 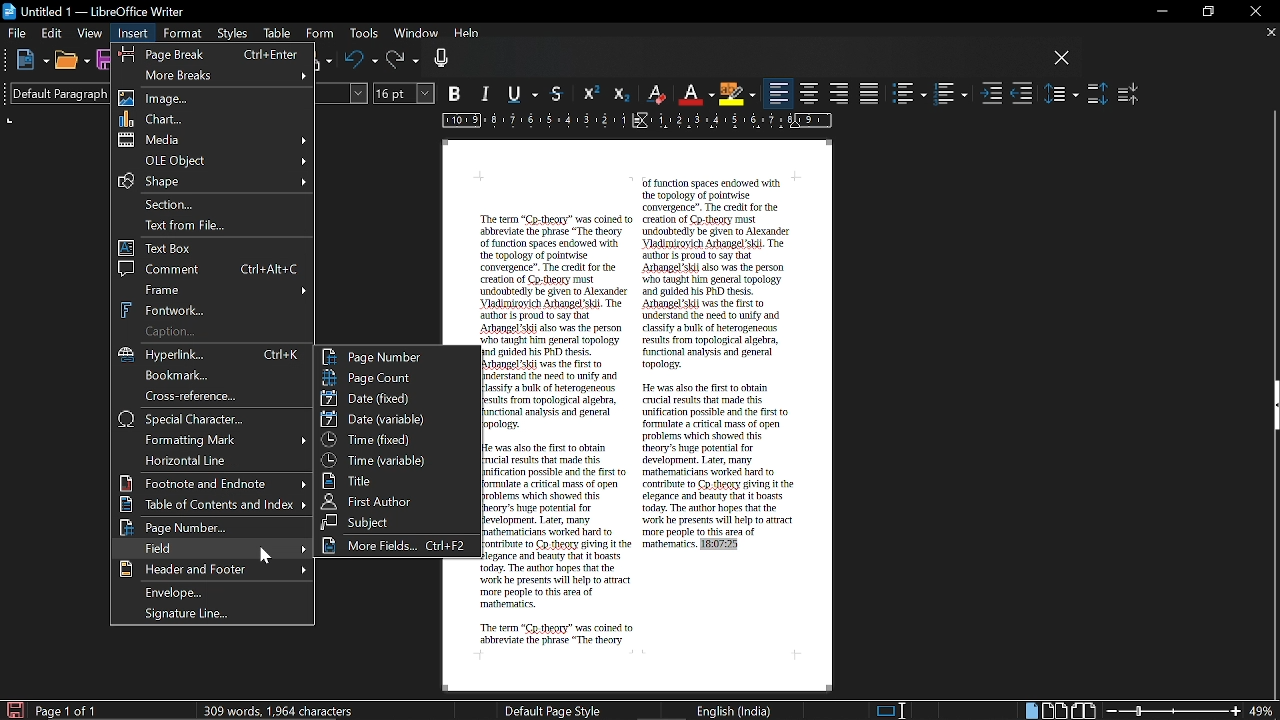 I want to click on Decrease indent, so click(x=1022, y=95).